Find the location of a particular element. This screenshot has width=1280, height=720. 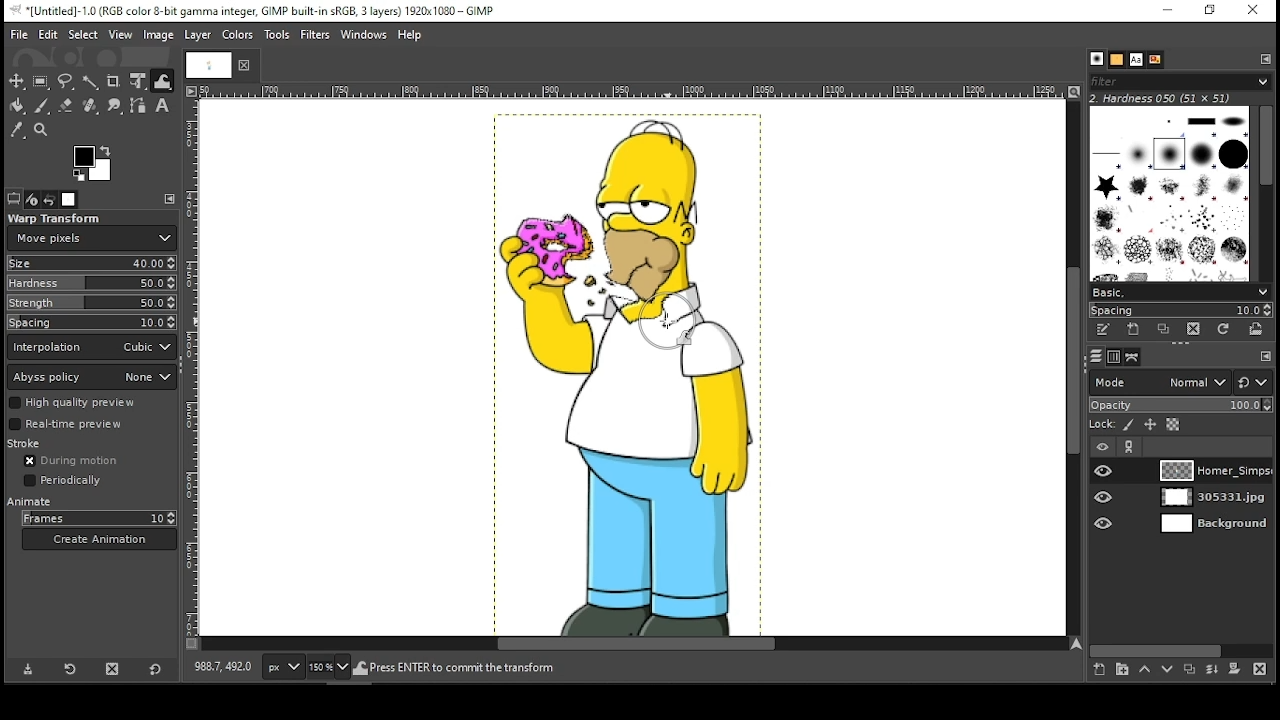

layer 2 is located at coordinates (1215, 498).